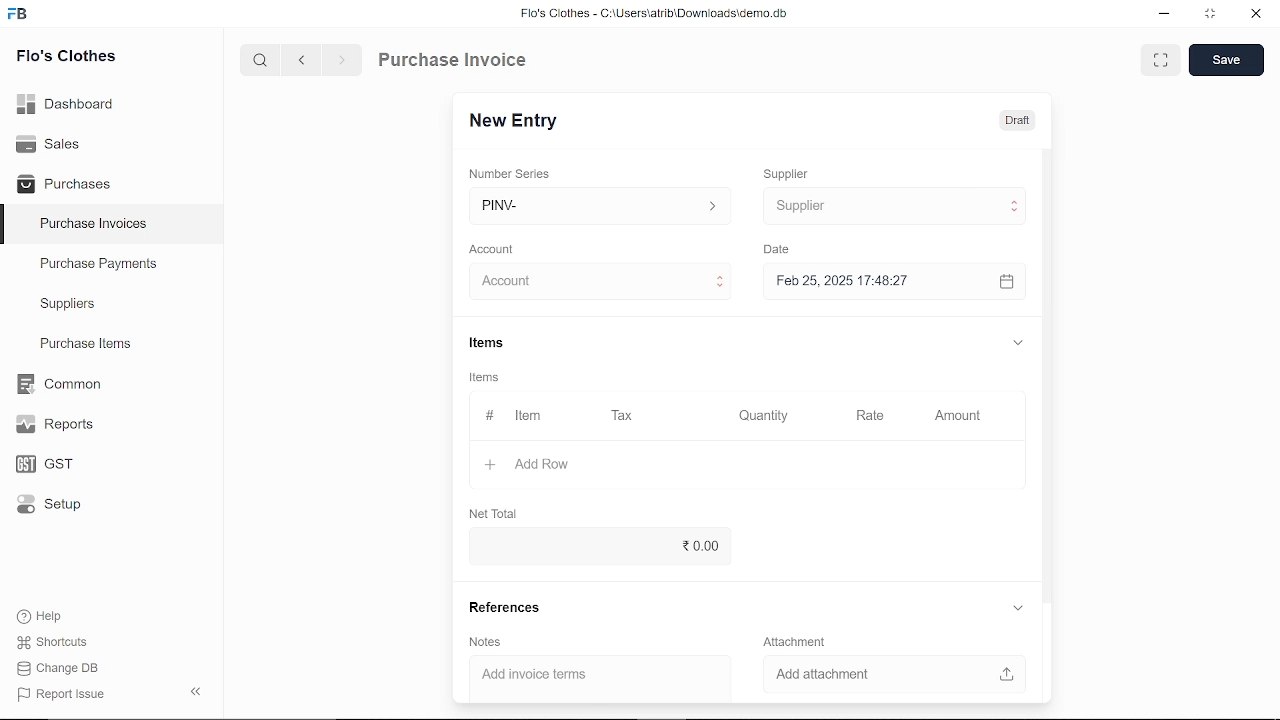 The image size is (1280, 720). What do you see at coordinates (498, 247) in the screenshot?
I see `Account` at bounding box center [498, 247].